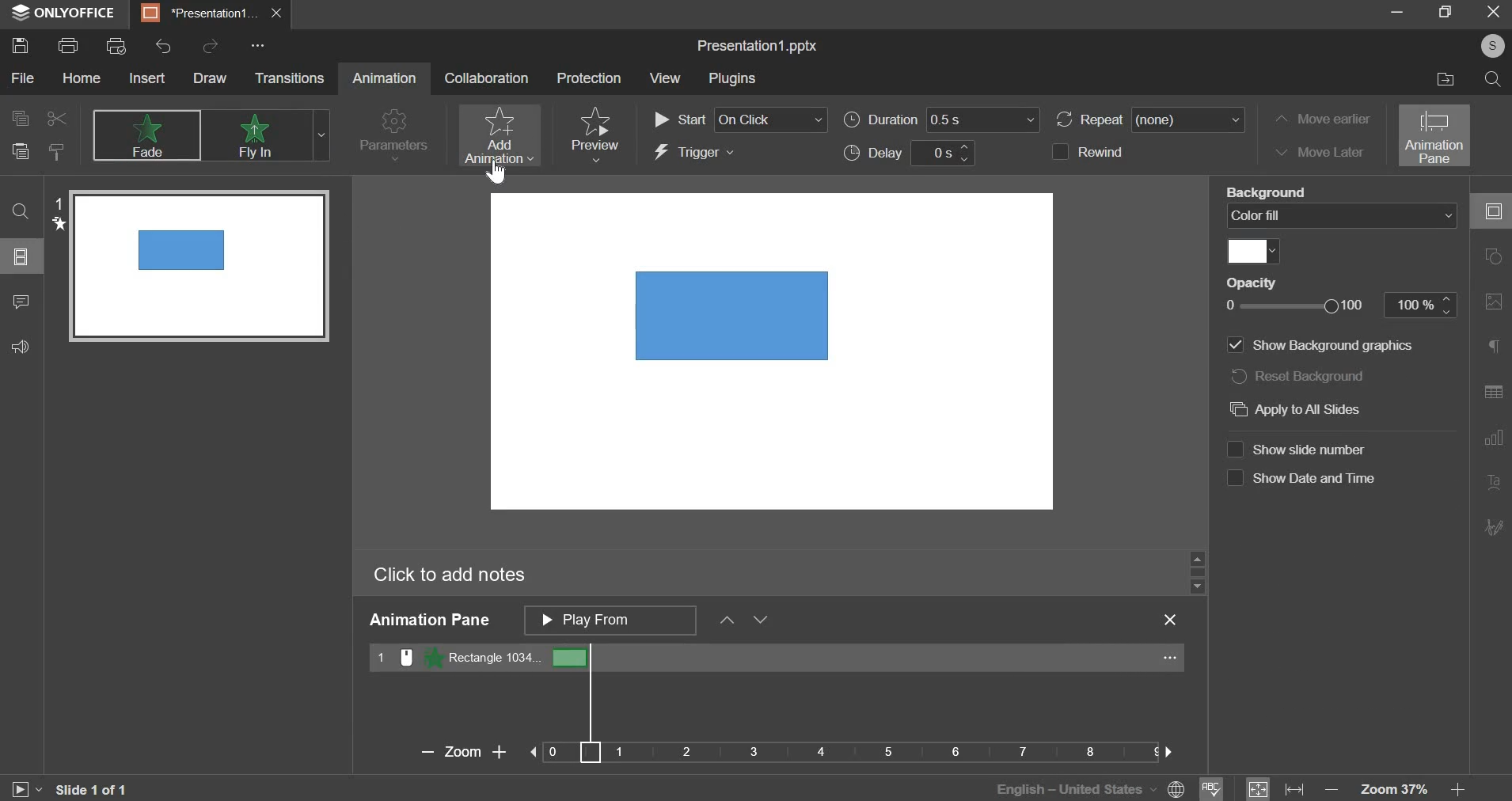  I want to click on Click to add notes, so click(452, 575).